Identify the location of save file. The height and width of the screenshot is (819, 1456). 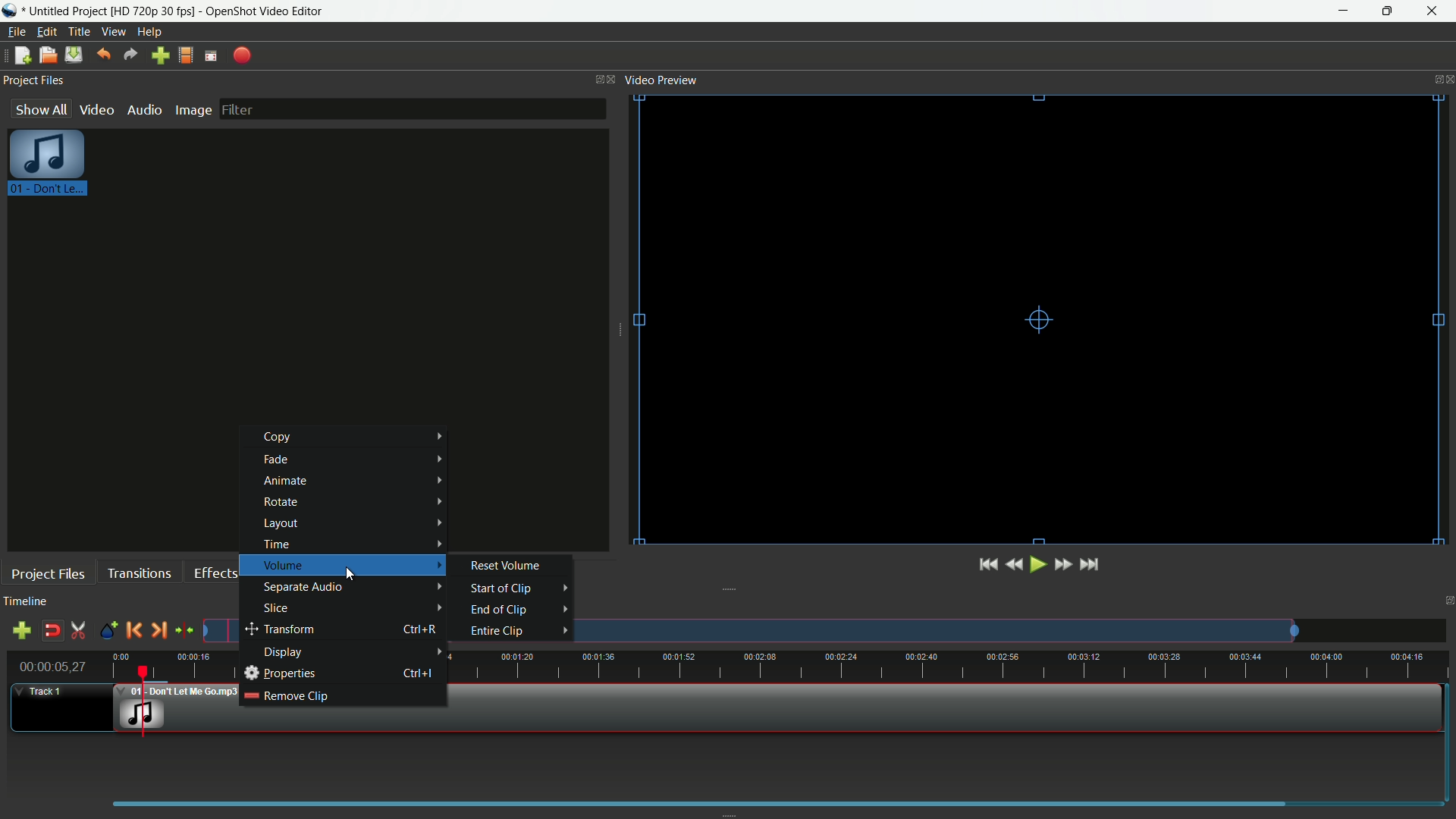
(74, 55).